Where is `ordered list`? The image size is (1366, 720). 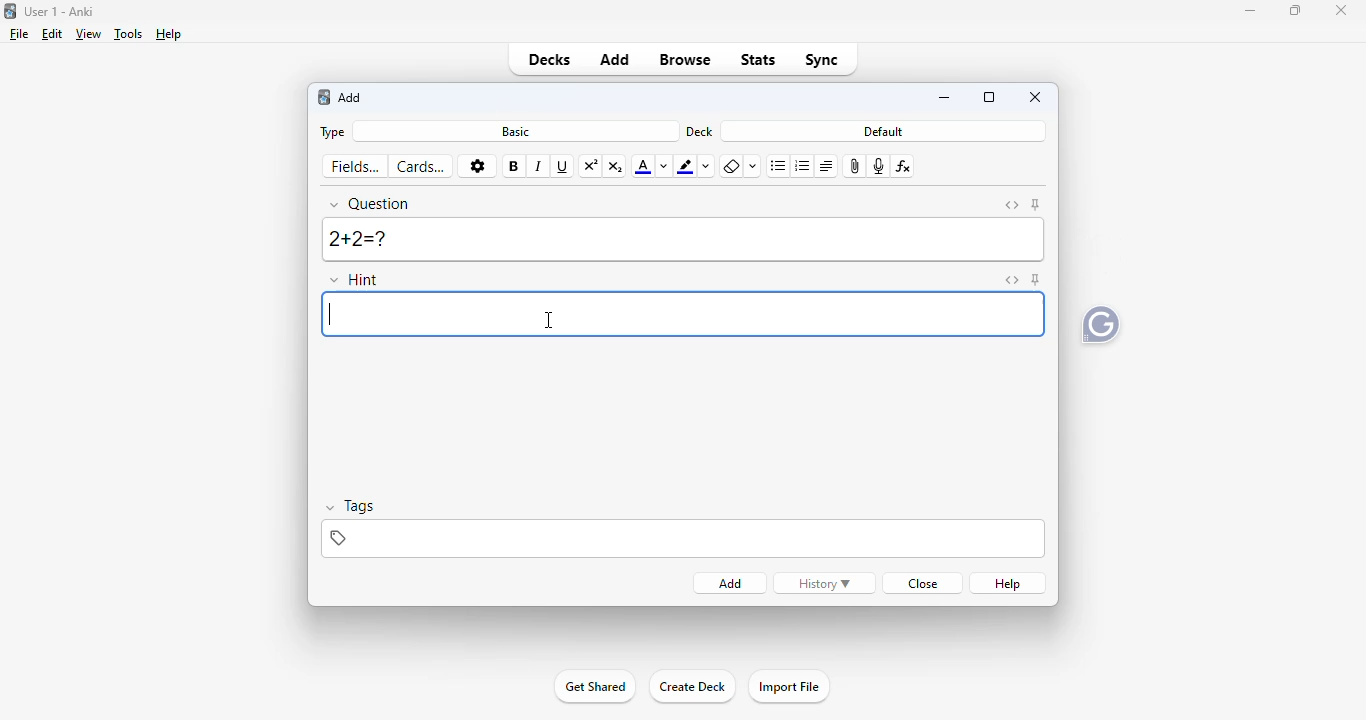 ordered list is located at coordinates (803, 166).